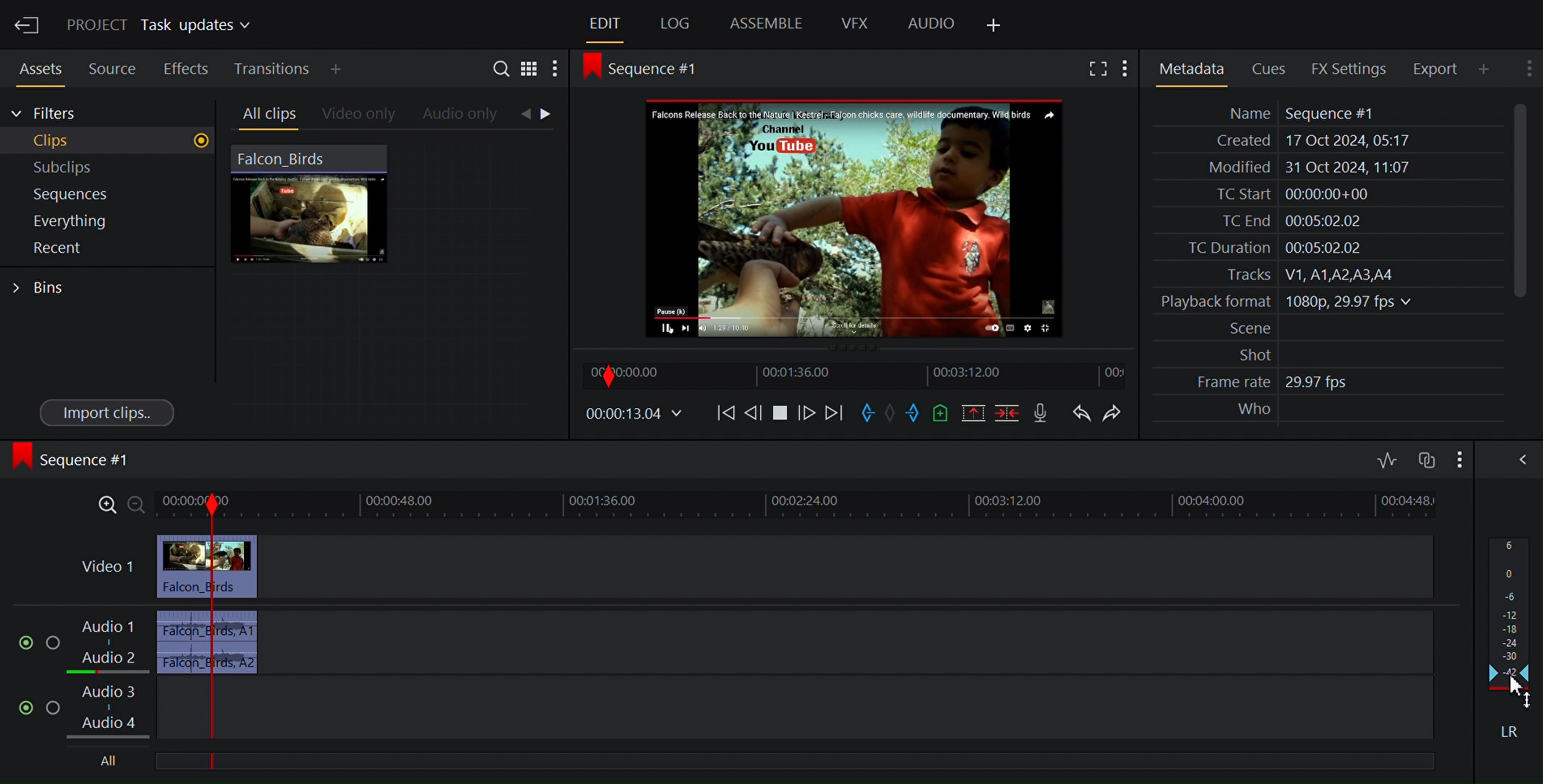 This screenshot has height=784, width=1543. Describe the element at coordinates (1458, 458) in the screenshot. I see `Show settings menu` at that location.